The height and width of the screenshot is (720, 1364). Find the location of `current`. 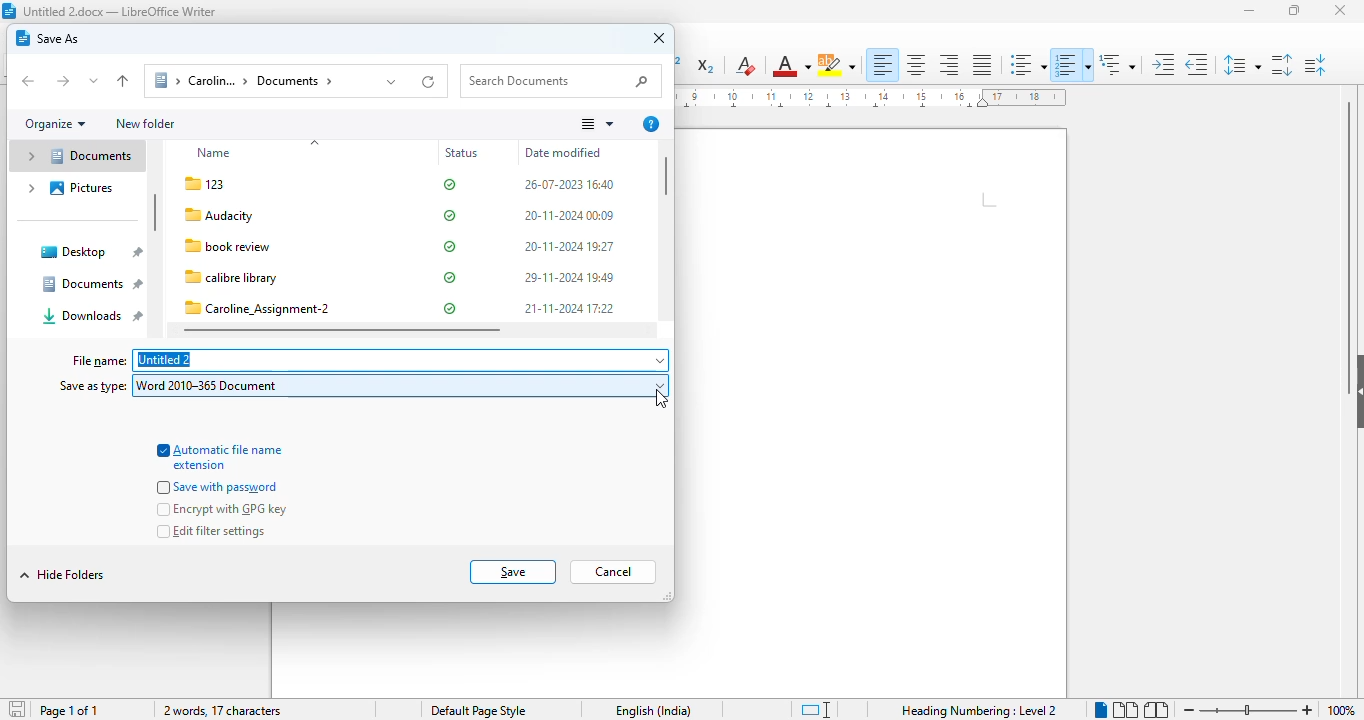

current is located at coordinates (662, 399).